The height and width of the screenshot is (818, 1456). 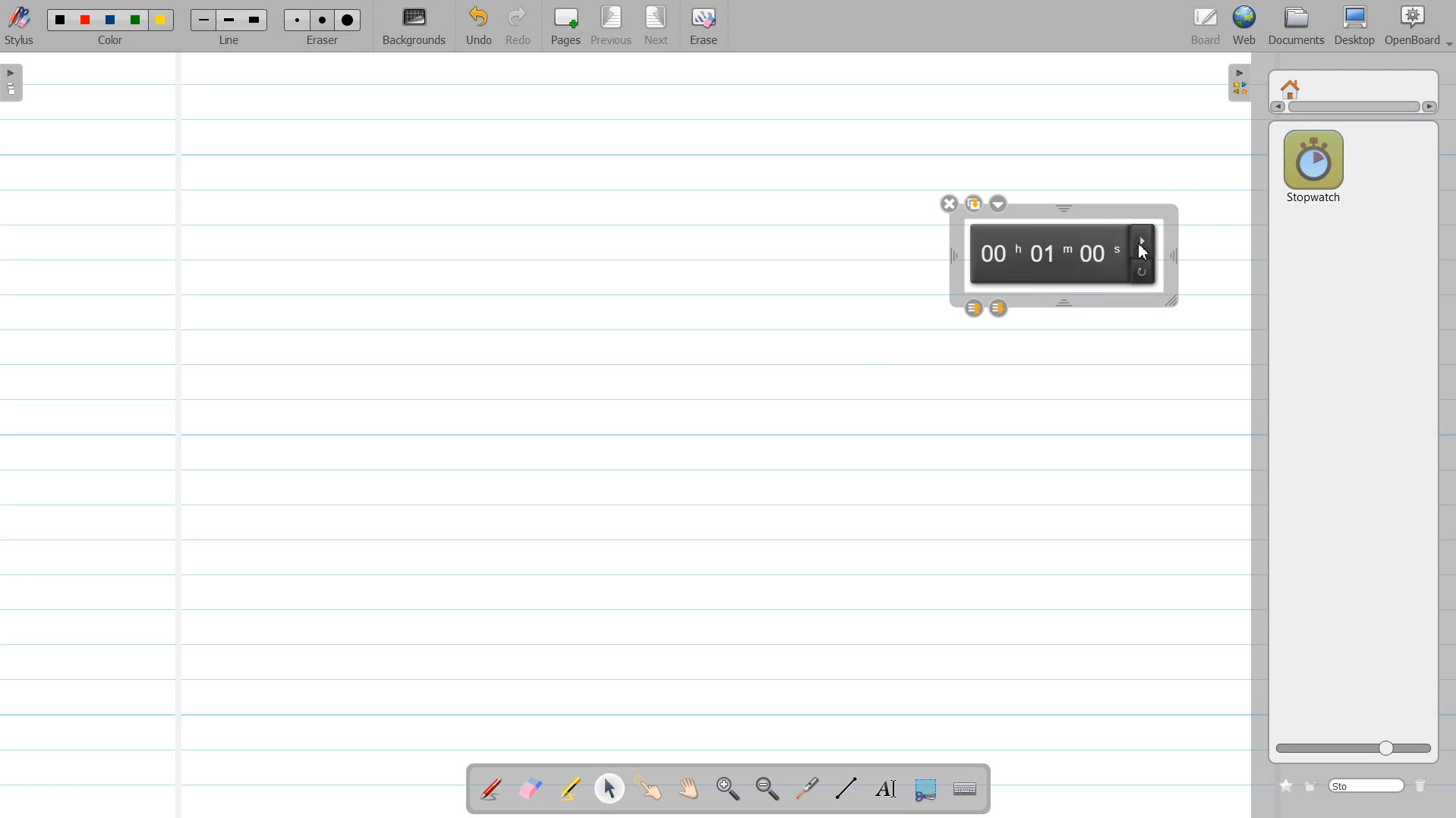 I want to click on Interact with Item, so click(x=653, y=788).